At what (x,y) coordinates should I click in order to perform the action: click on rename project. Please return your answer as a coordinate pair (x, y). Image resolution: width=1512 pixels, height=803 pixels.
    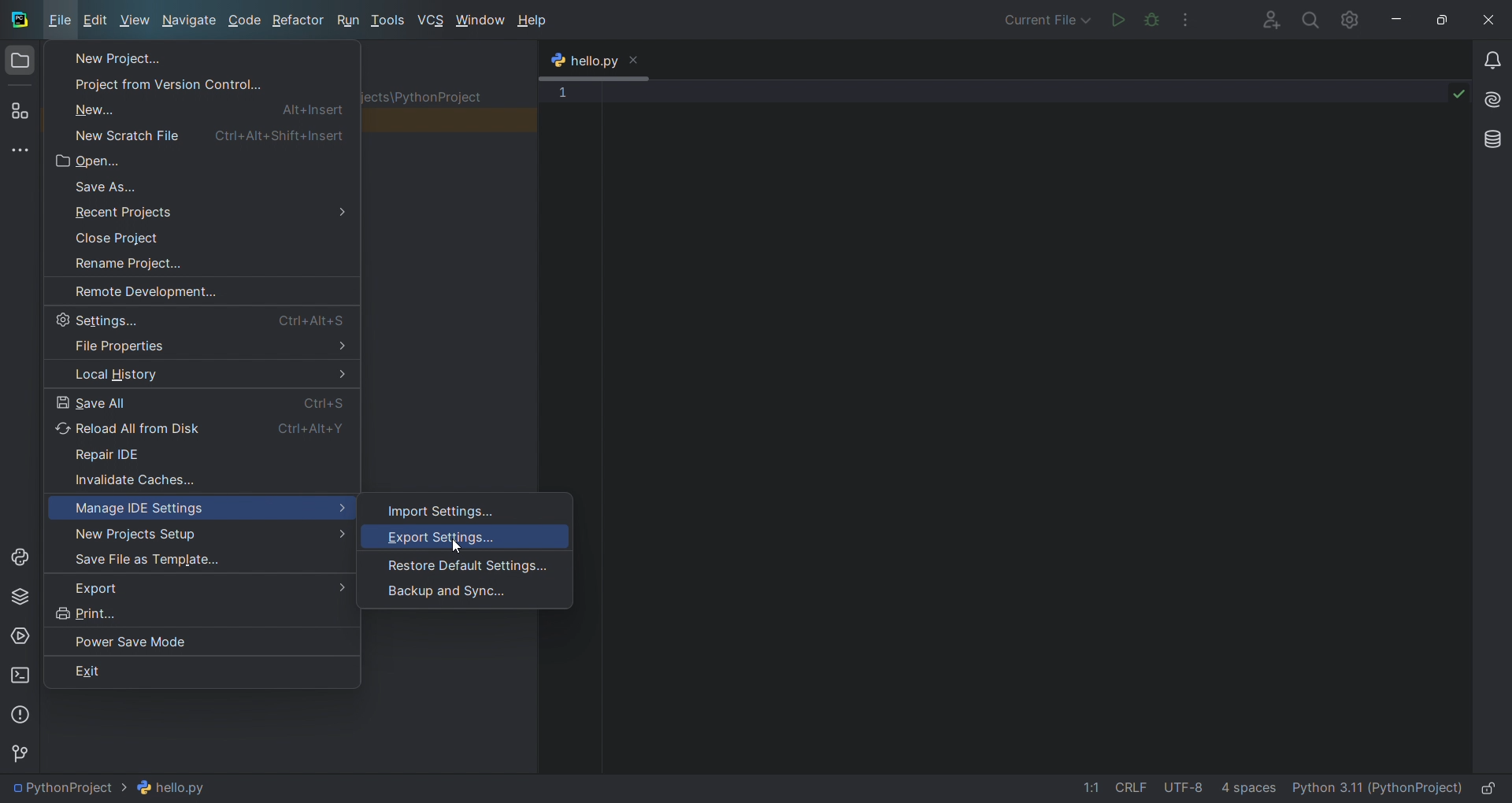
    Looking at the image, I should click on (202, 260).